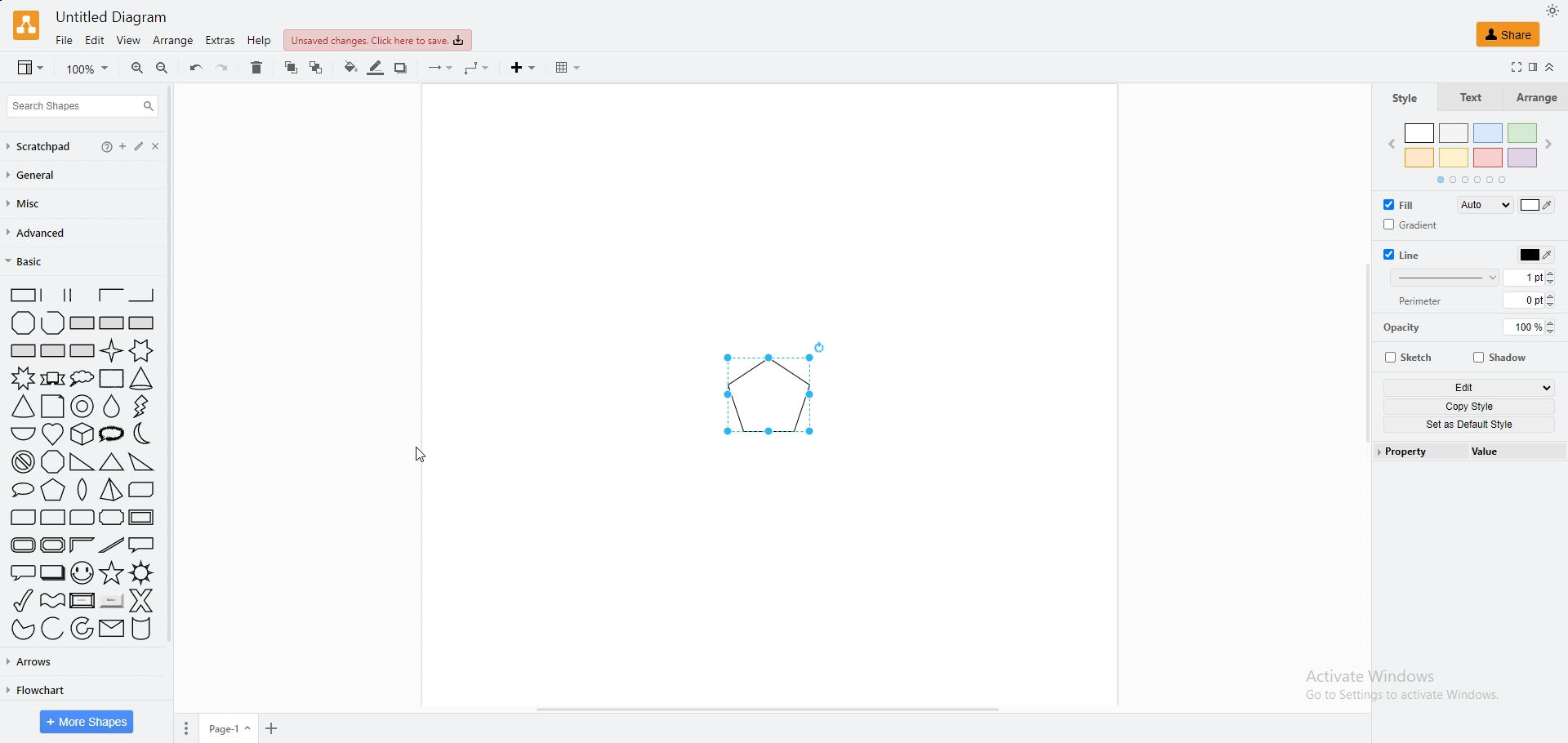  Describe the element at coordinates (1556, 283) in the screenshot. I see `decrease line width` at that location.